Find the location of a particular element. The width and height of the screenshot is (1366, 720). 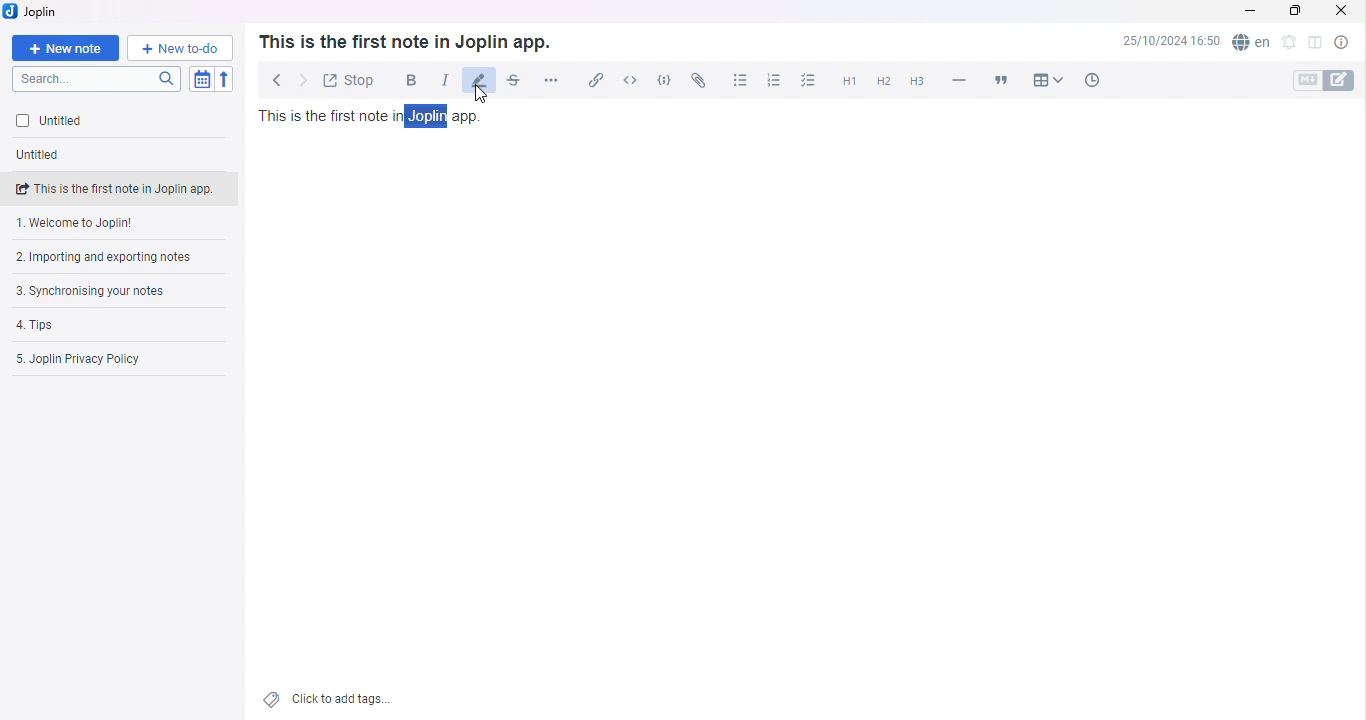

Heading 2 is located at coordinates (883, 83).